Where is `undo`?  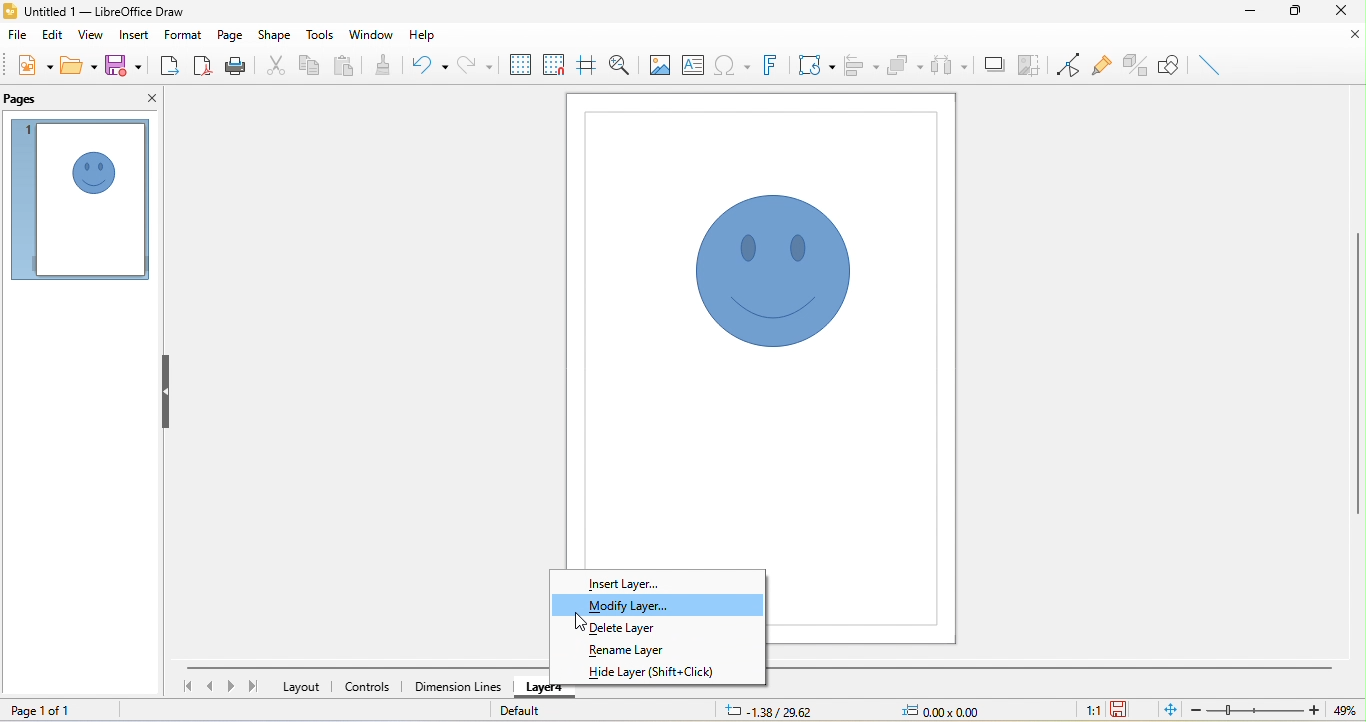 undo is located at coordinates (430, 67).